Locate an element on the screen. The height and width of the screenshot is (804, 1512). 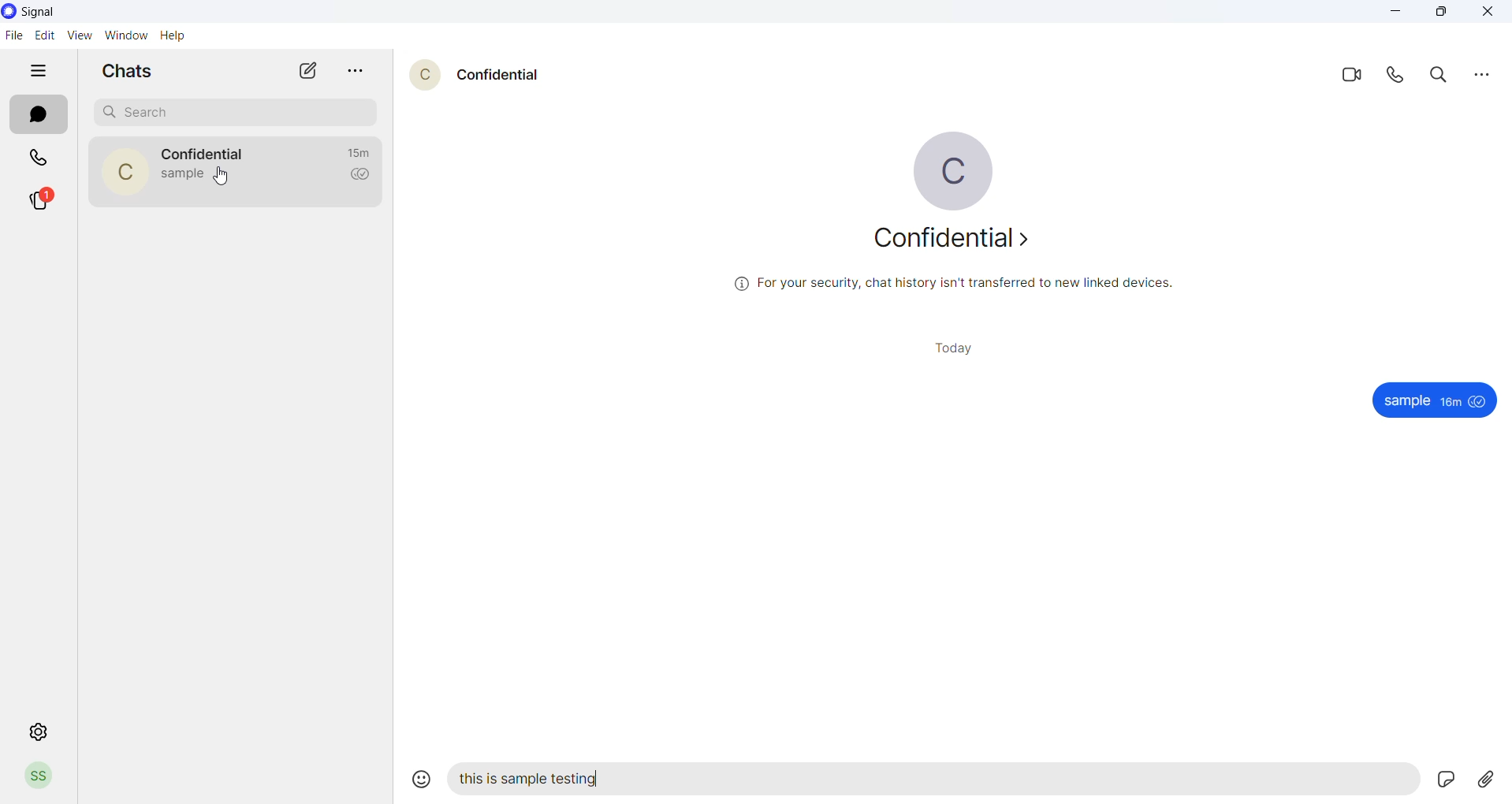
stories is located at coordinates (39, 200).